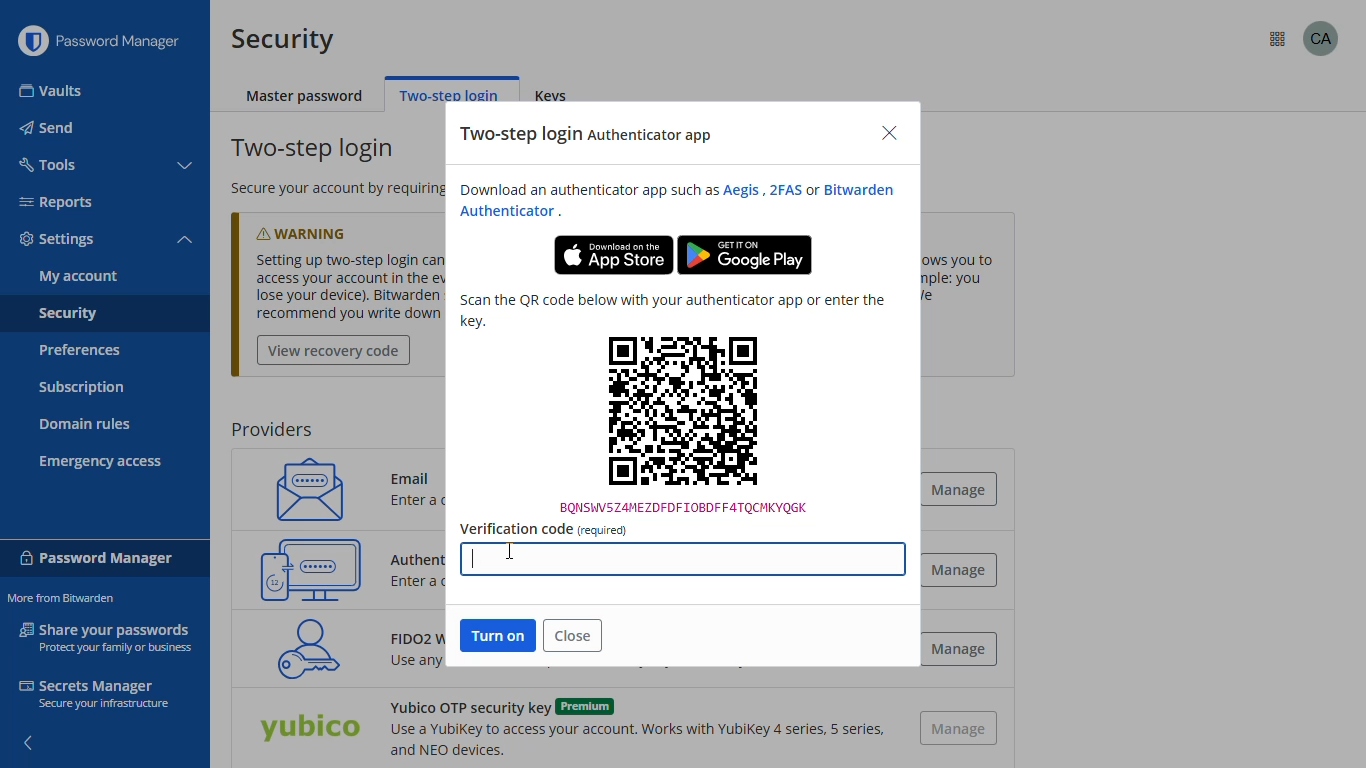 The image size is (1366, 768). I want to click on send, so click(49, 128).